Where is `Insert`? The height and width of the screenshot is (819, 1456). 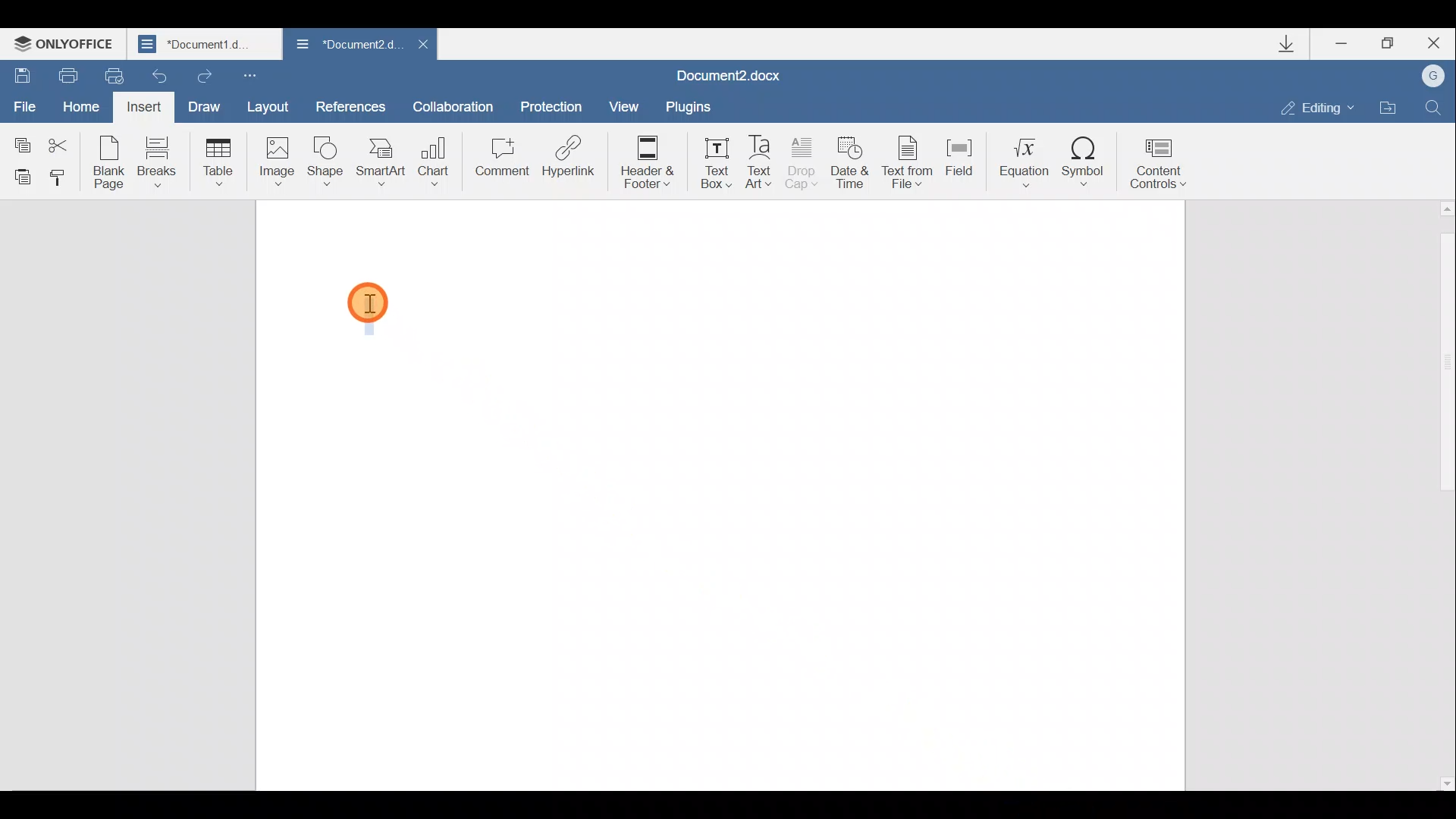
Insert is located at coordinates (142, 106).